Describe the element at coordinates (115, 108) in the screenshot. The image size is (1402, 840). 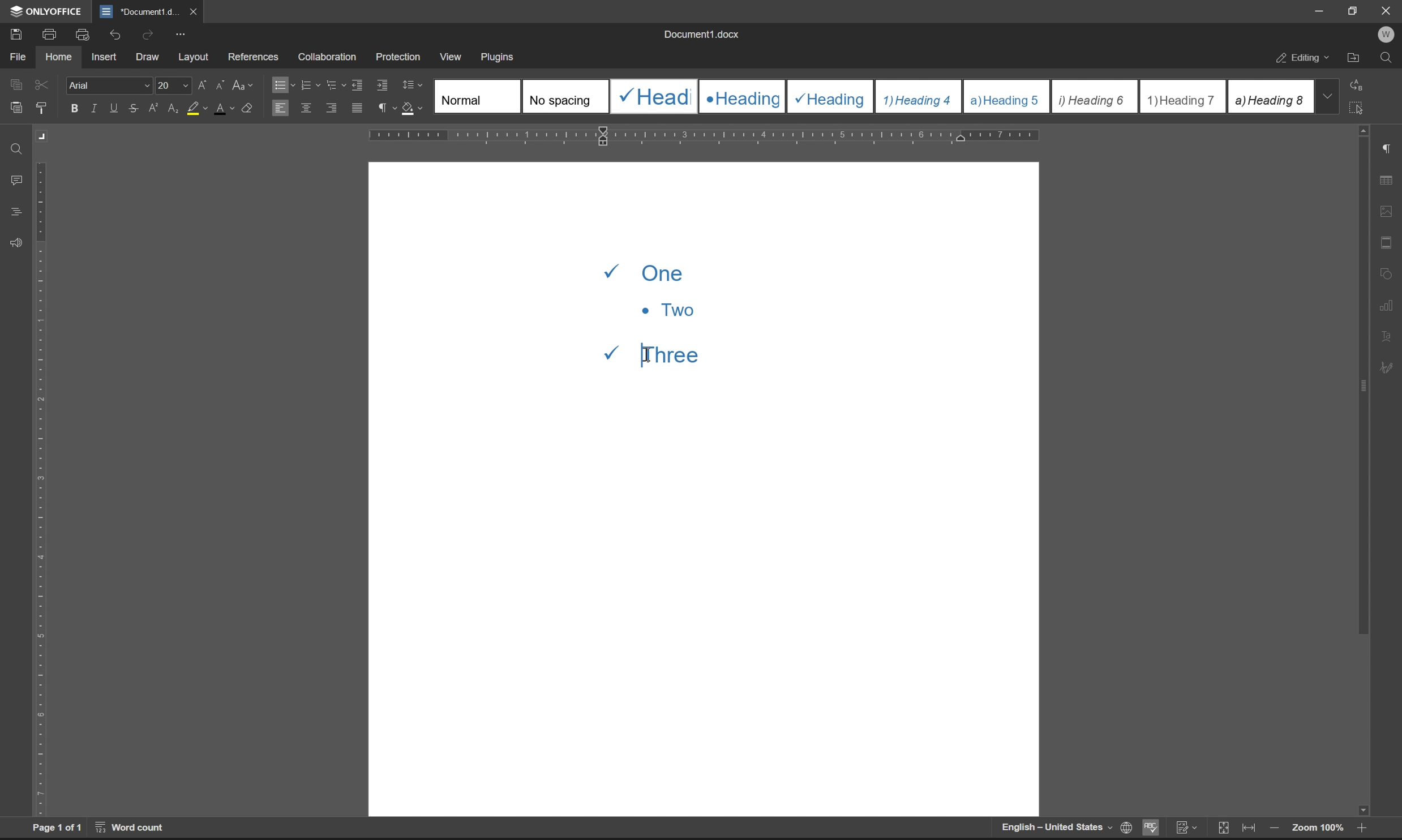
I see `underline` at that location.